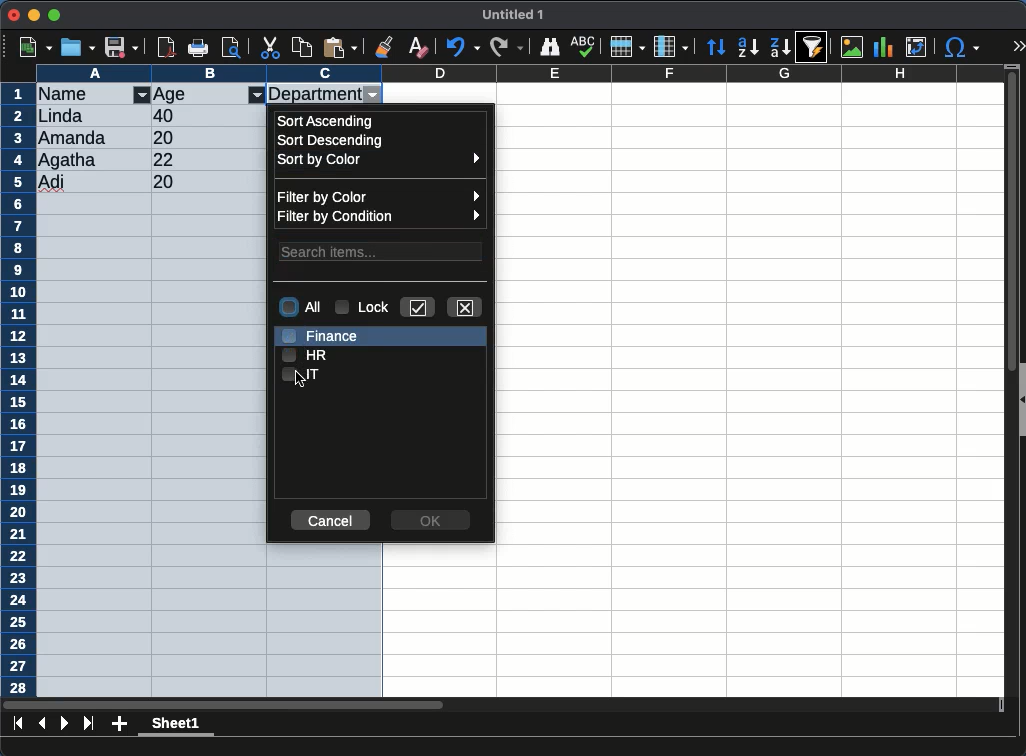 The image size is (1026, 756). Describe the element at coordinates (816, 47) in the screenshot. I see `sort` at that location.